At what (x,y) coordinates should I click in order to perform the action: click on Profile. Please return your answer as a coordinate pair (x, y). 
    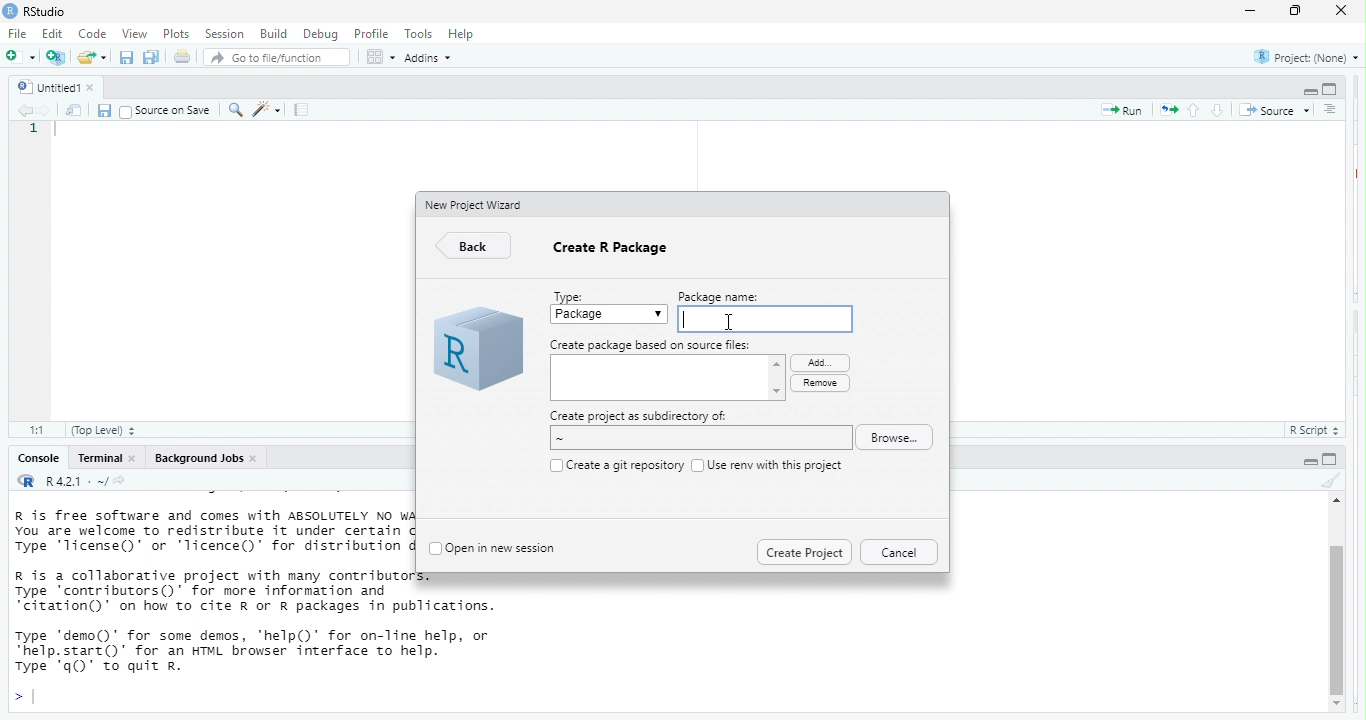
    Looking at the image, I should click on (373, 34).